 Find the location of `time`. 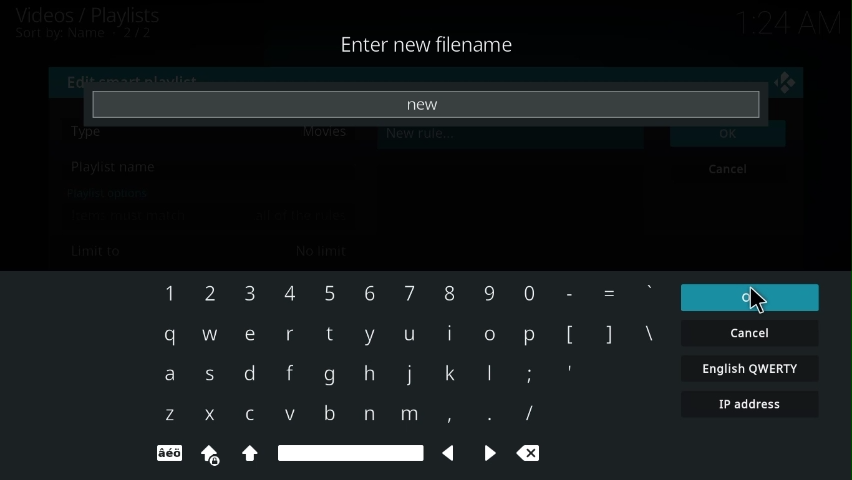

time is located at coordinates (792, 20).